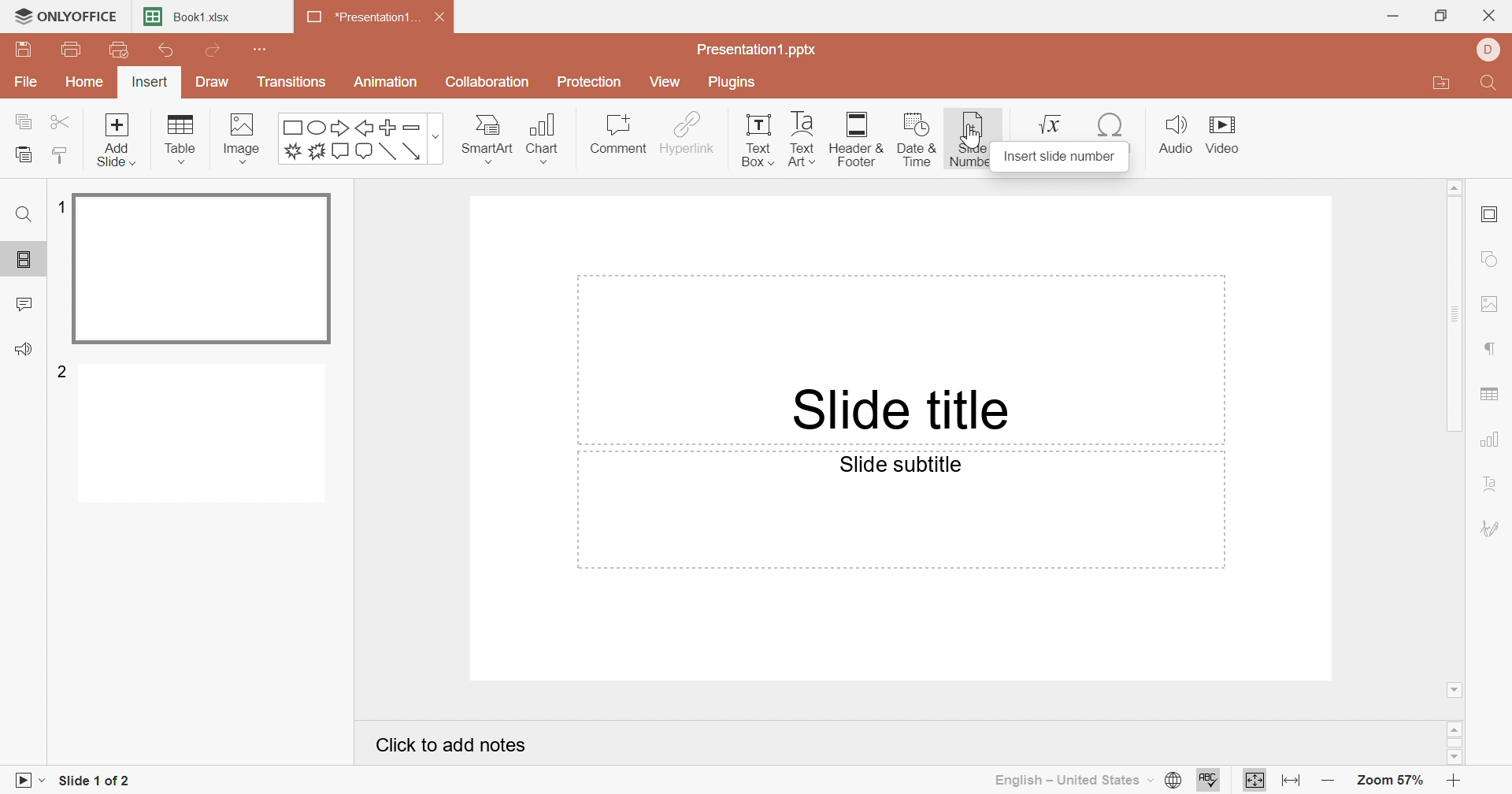  Describe the element at coordinates (63, 121) in the screenshot. I see `cut` at that location.